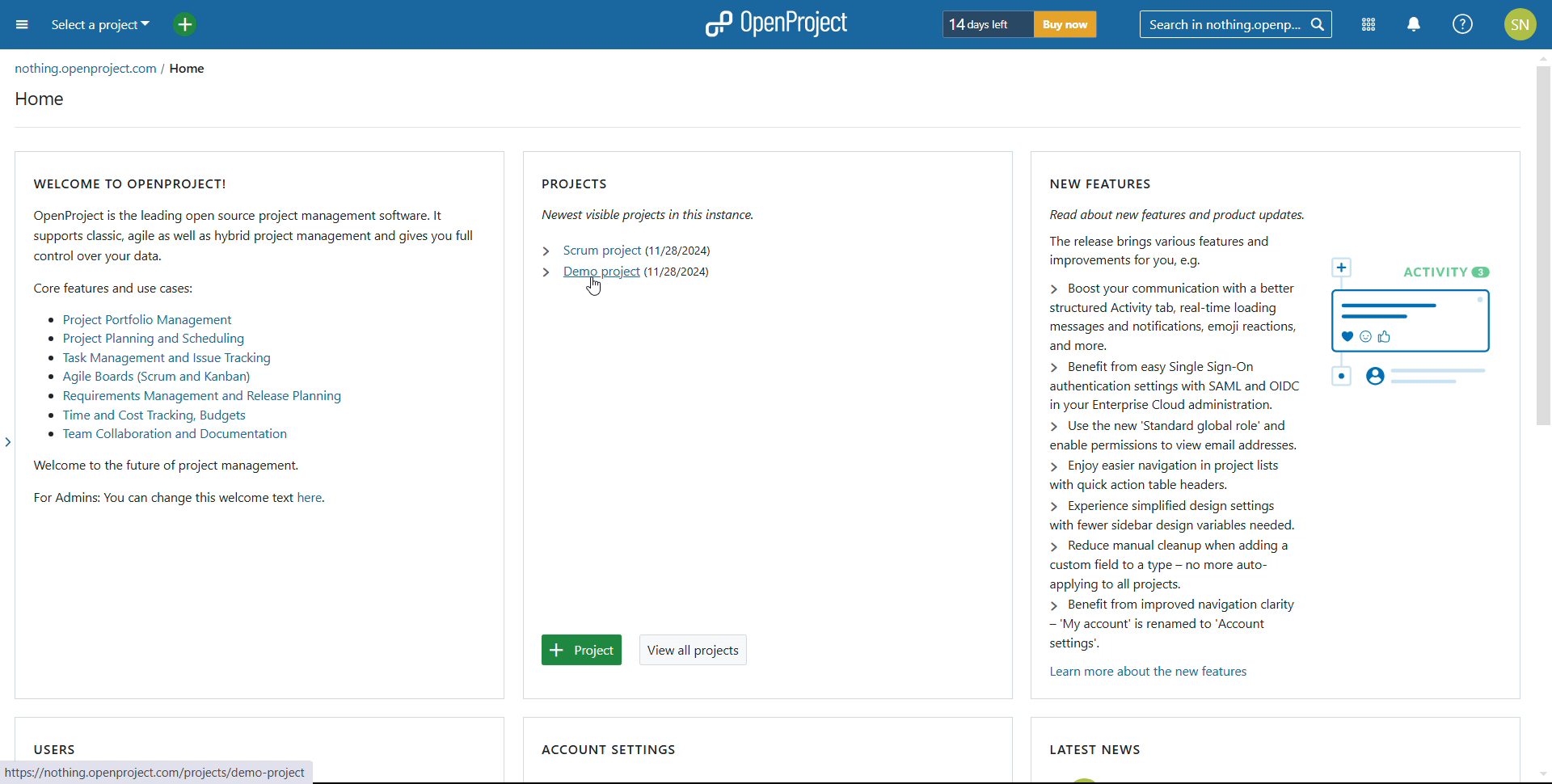 Image resolution: width=1552 pixels, height=784 pixels. What do you see at coordinates (1369, 25) in the screenshot?
I see `modules` at bounding box center [1369, 25].